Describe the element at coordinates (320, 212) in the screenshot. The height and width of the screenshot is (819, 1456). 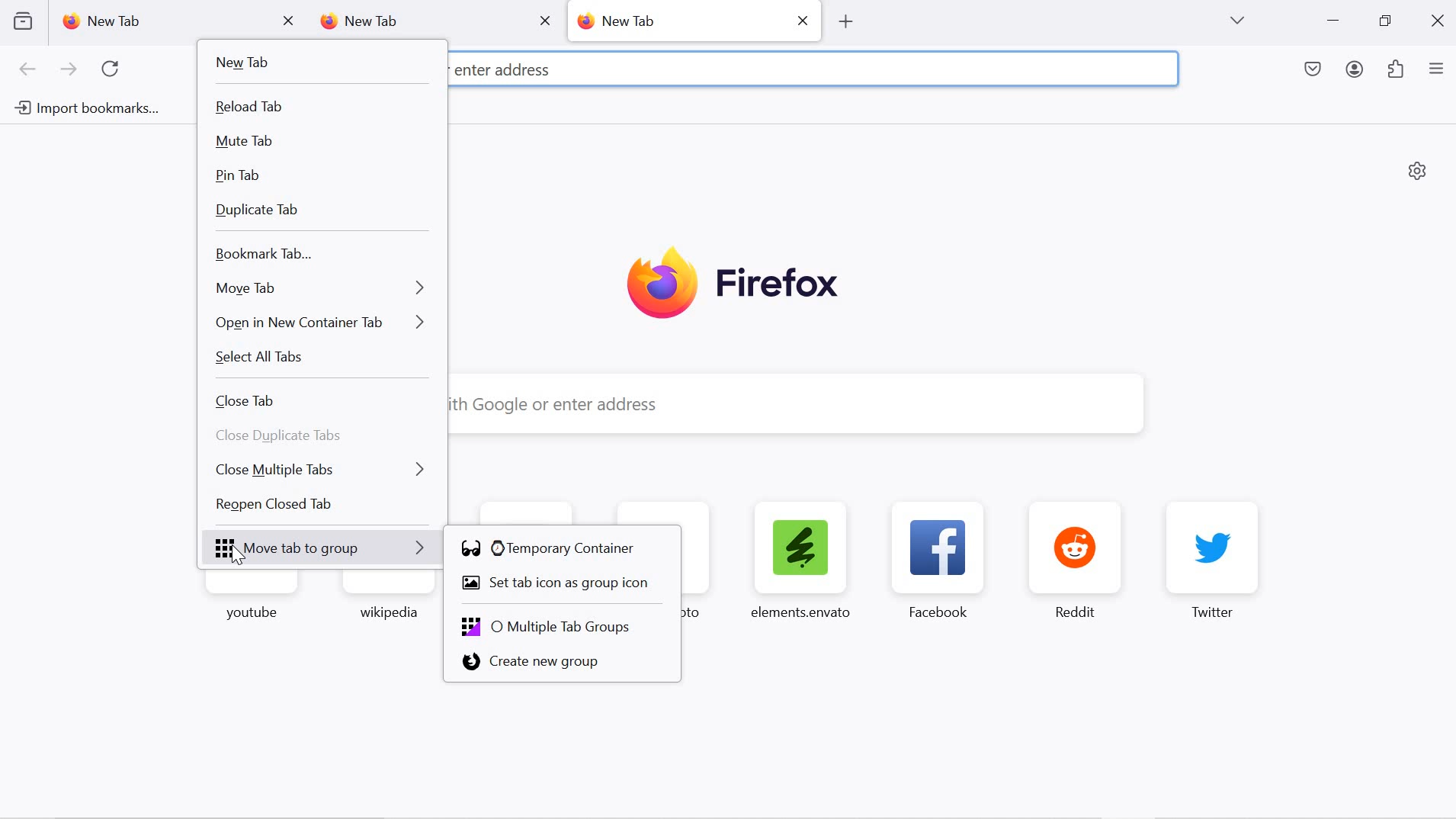
I see `duplicate tab` at that location.